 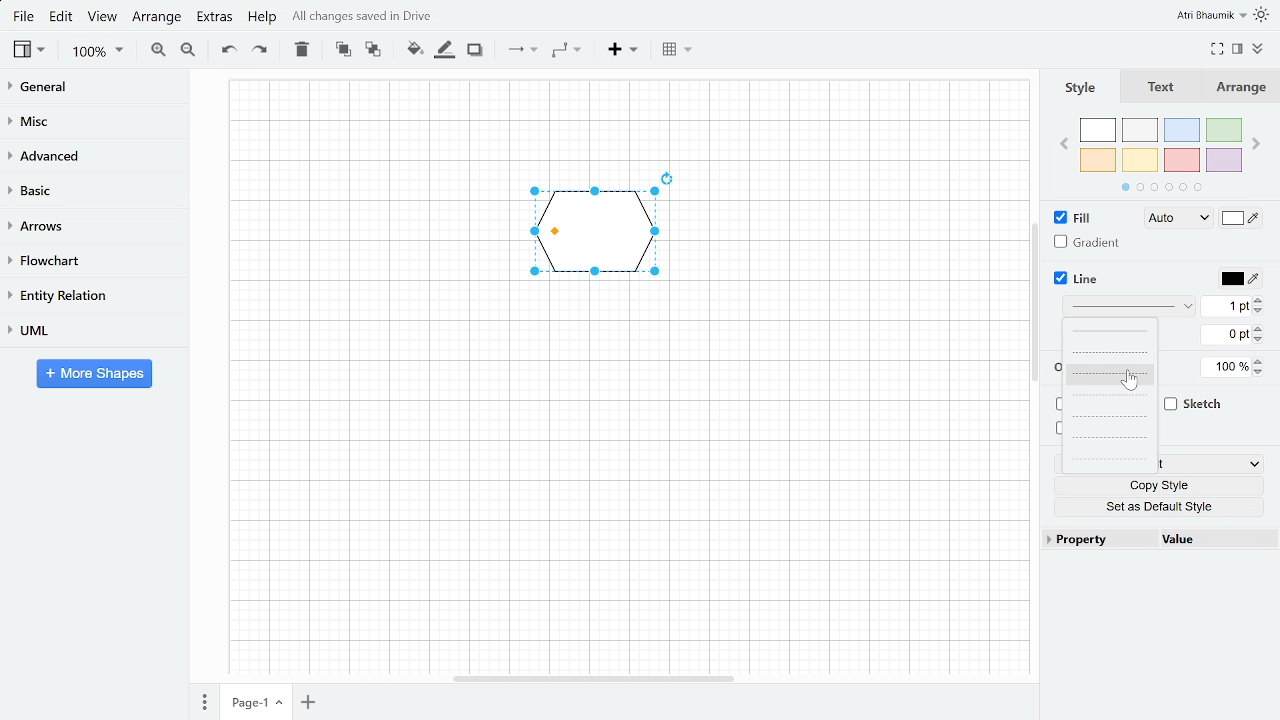 What do you see at coordinates (1073, 279) in the screenshot?
I see `Line` at bounding box center [1073, 279].